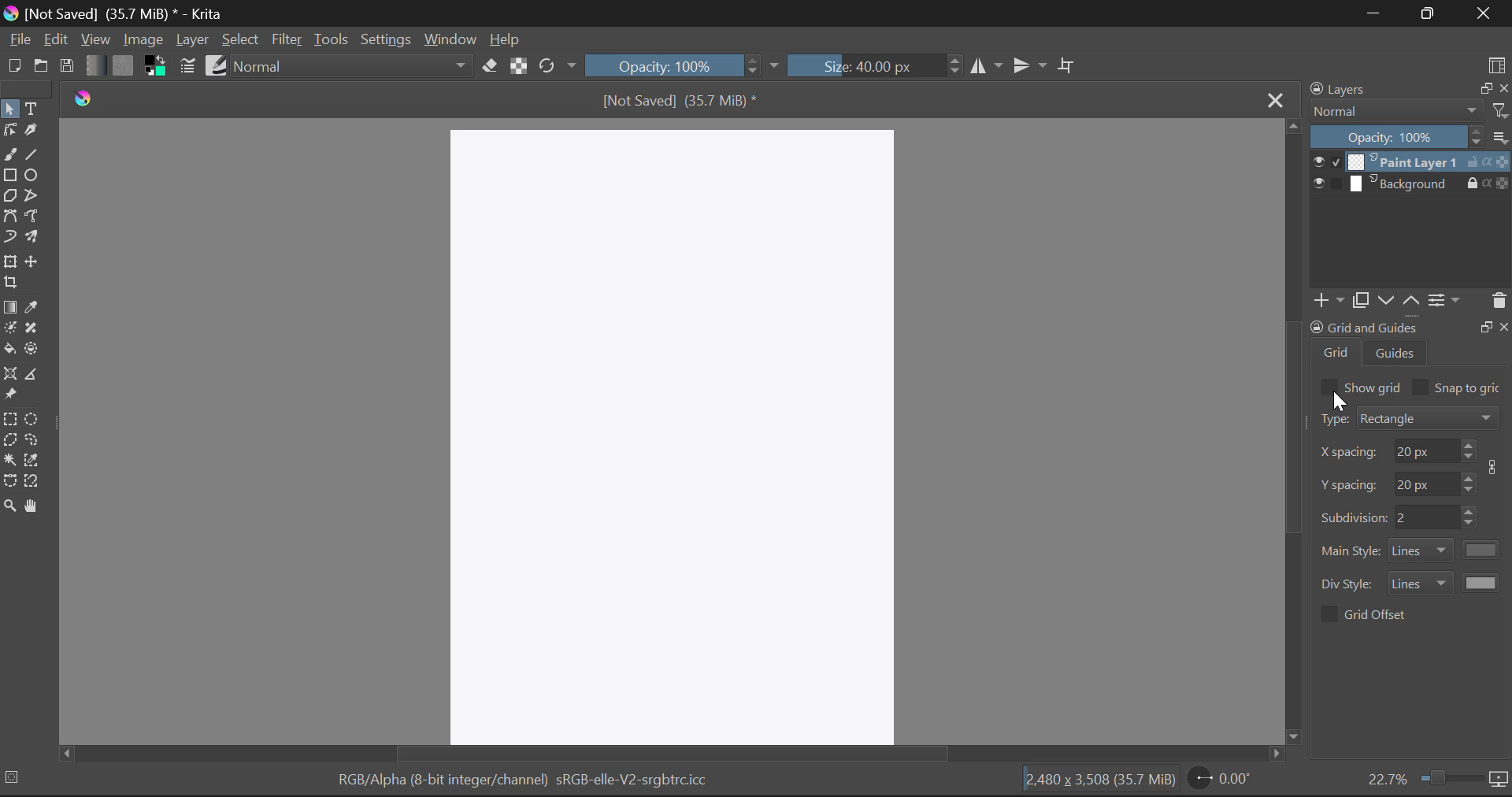 The height and width of the screenshot is (797, 1512). Describe the element at coordinates (11, 219) in the screenshot. I see `Bezier Curve` at that location.